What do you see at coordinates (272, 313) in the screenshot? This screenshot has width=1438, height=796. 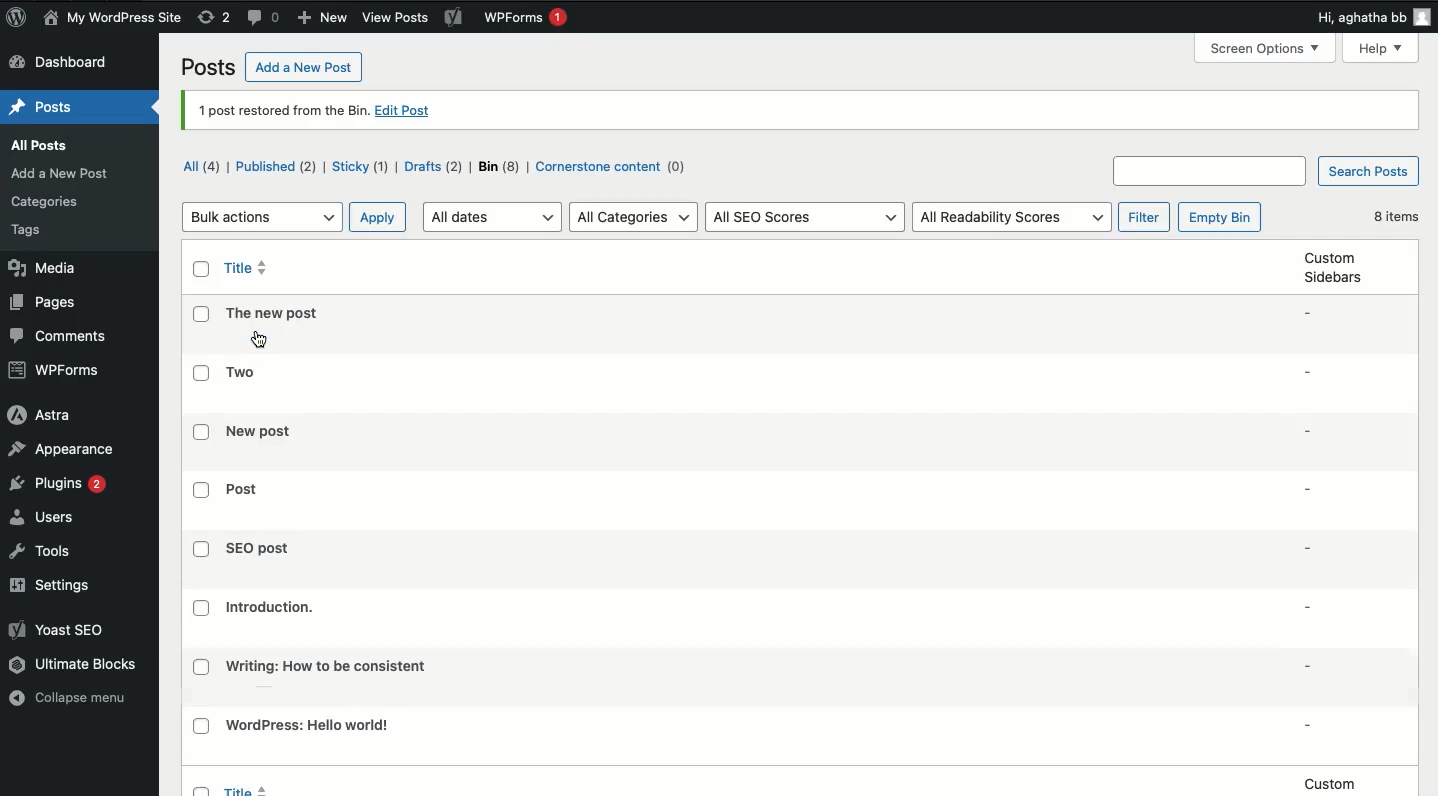 I see `Title` at bounding box center [272, 313].